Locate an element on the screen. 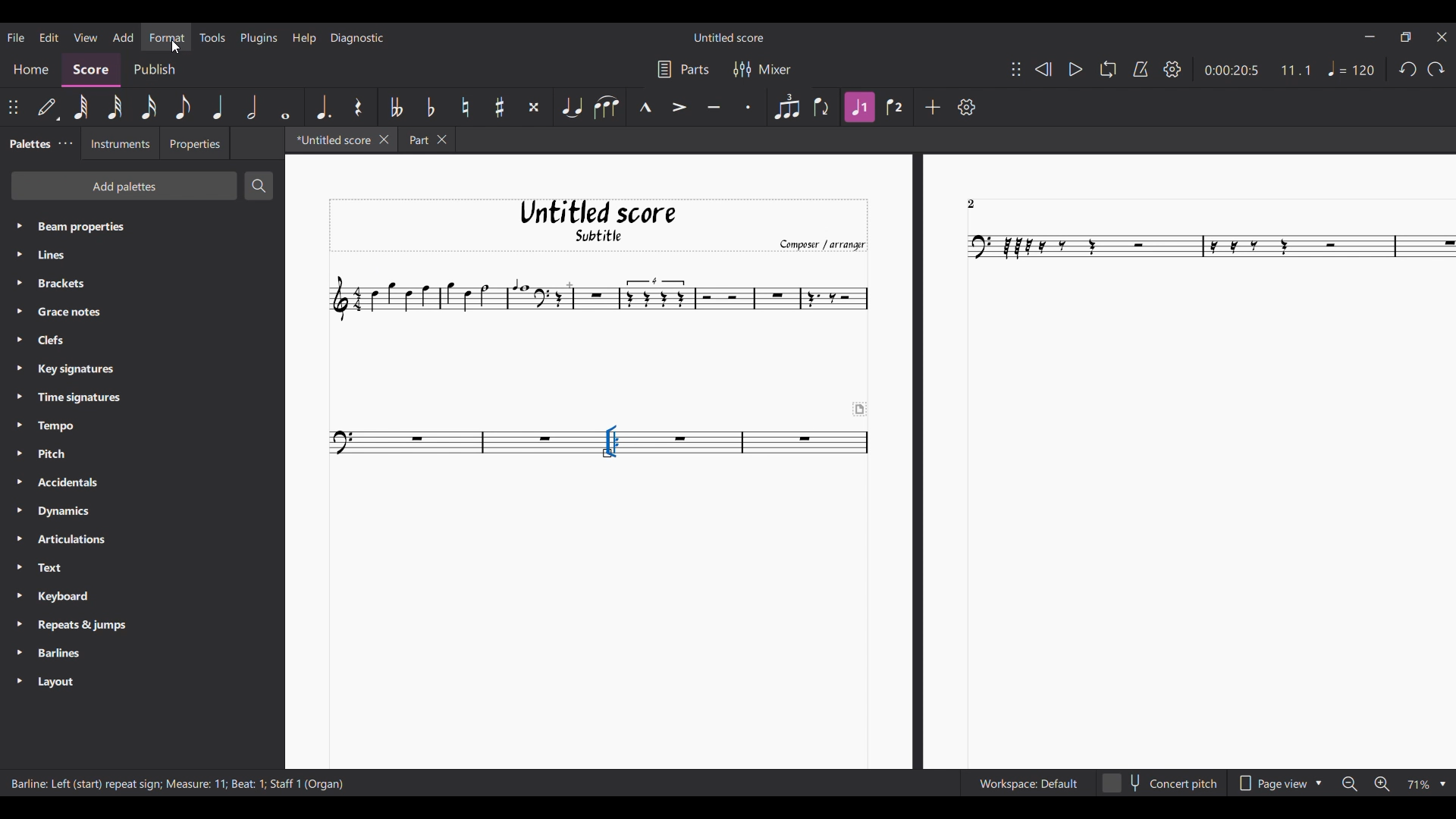 The width and height of the screenshot is (1456, 819). 16th note is located at coordinates (149, 107).